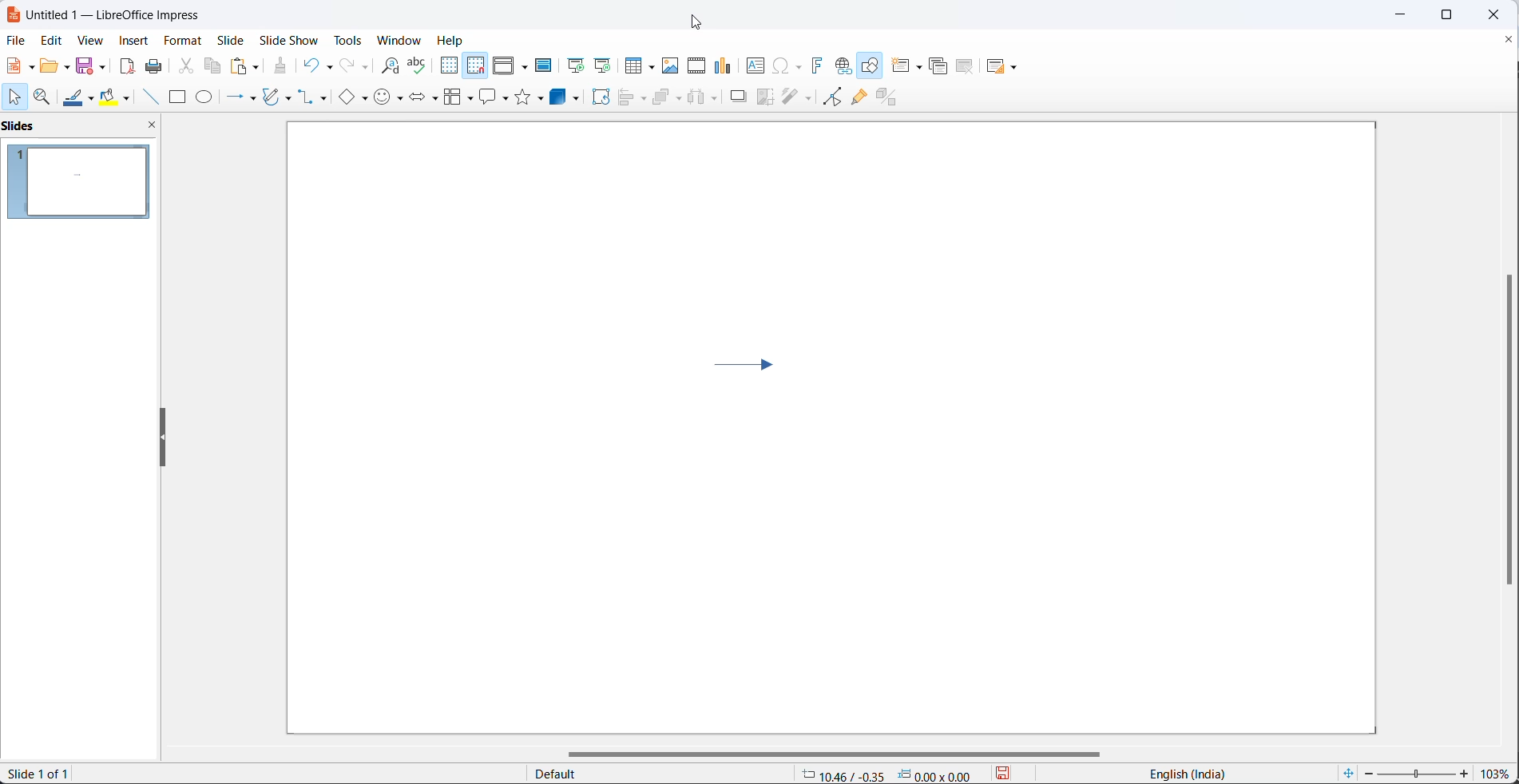 The image size is (1519, 784). What do you see at coordinates (84, 183) in the screenshot?
I see `slide preview` at bounding box center [84, 183].